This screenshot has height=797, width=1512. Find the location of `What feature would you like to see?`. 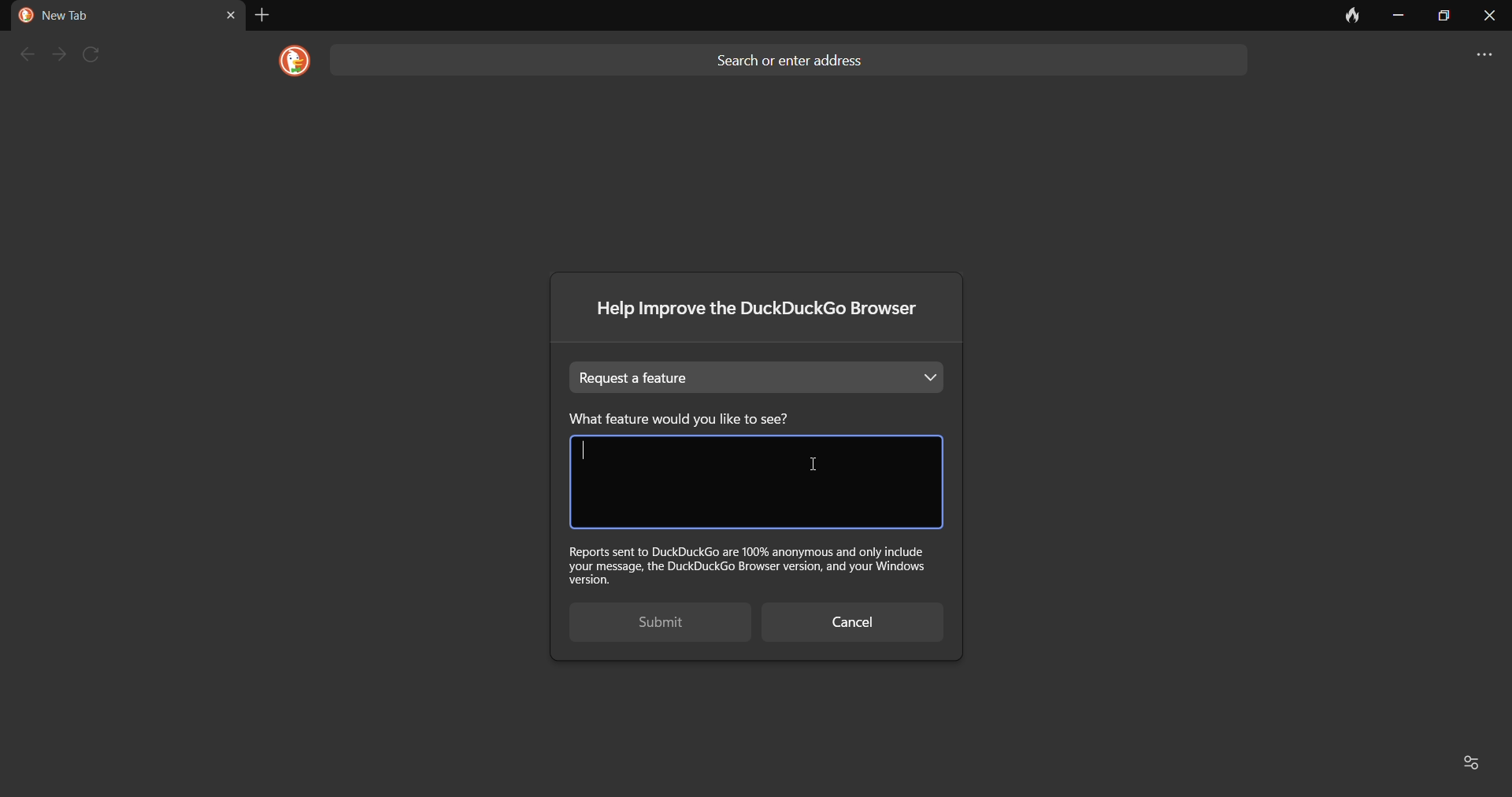

What feature would you like to see? is located at coordinates (707, 418).